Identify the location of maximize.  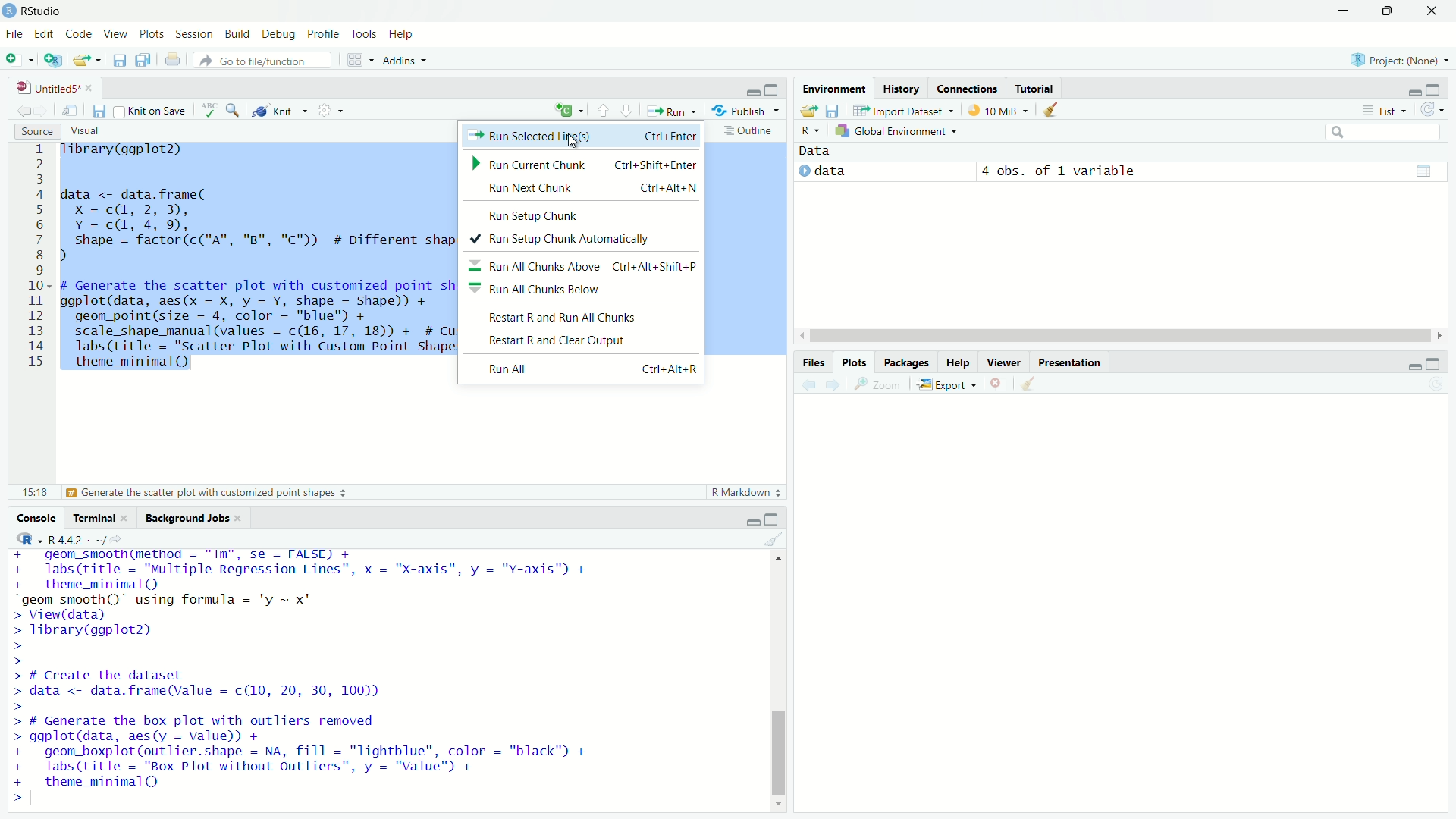
(773, 90).